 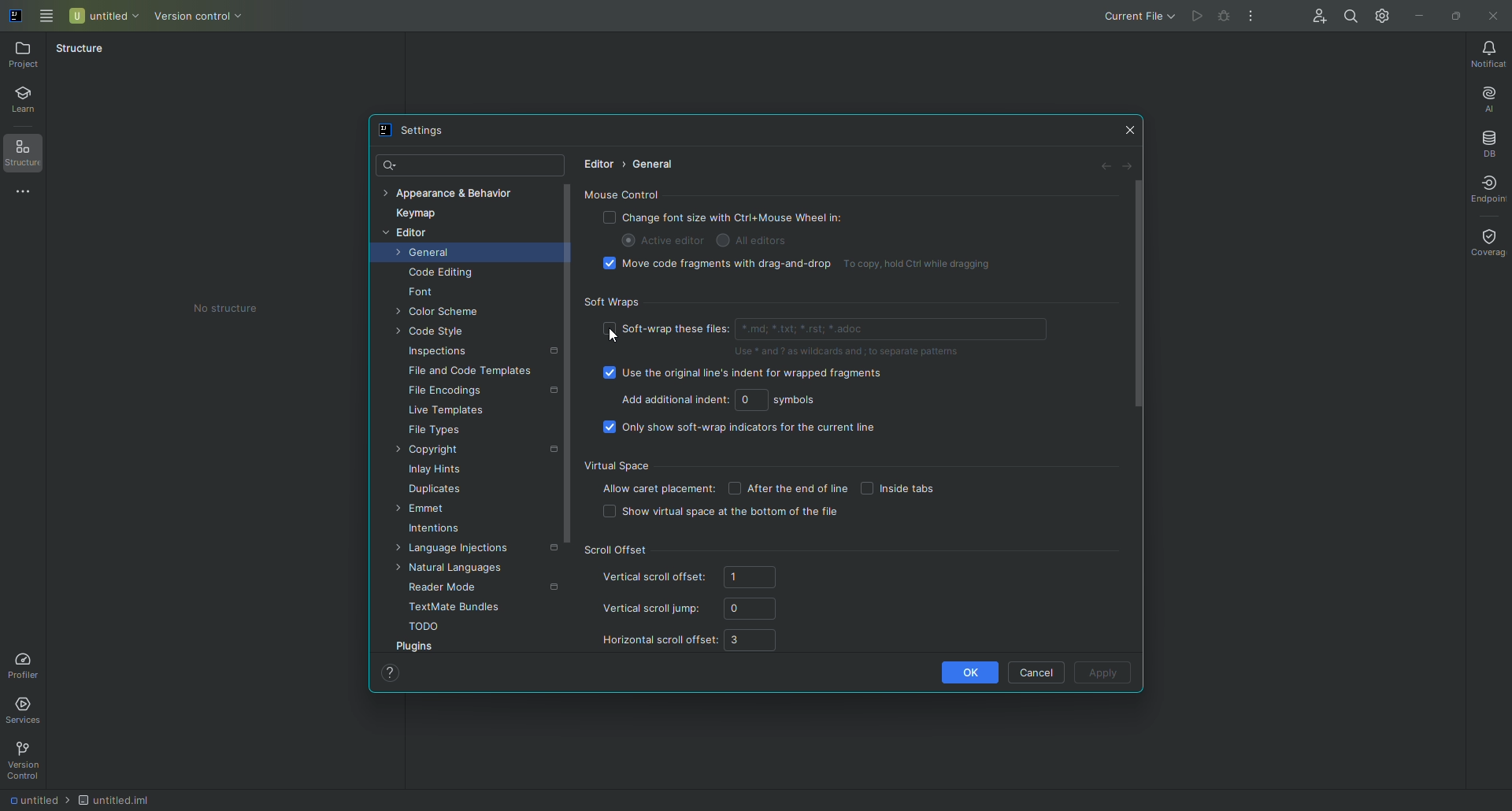 What do you see at coordinates (658, 487) in the screenshot?
I see `Allow caret placement` at bounding box center [658, 487].